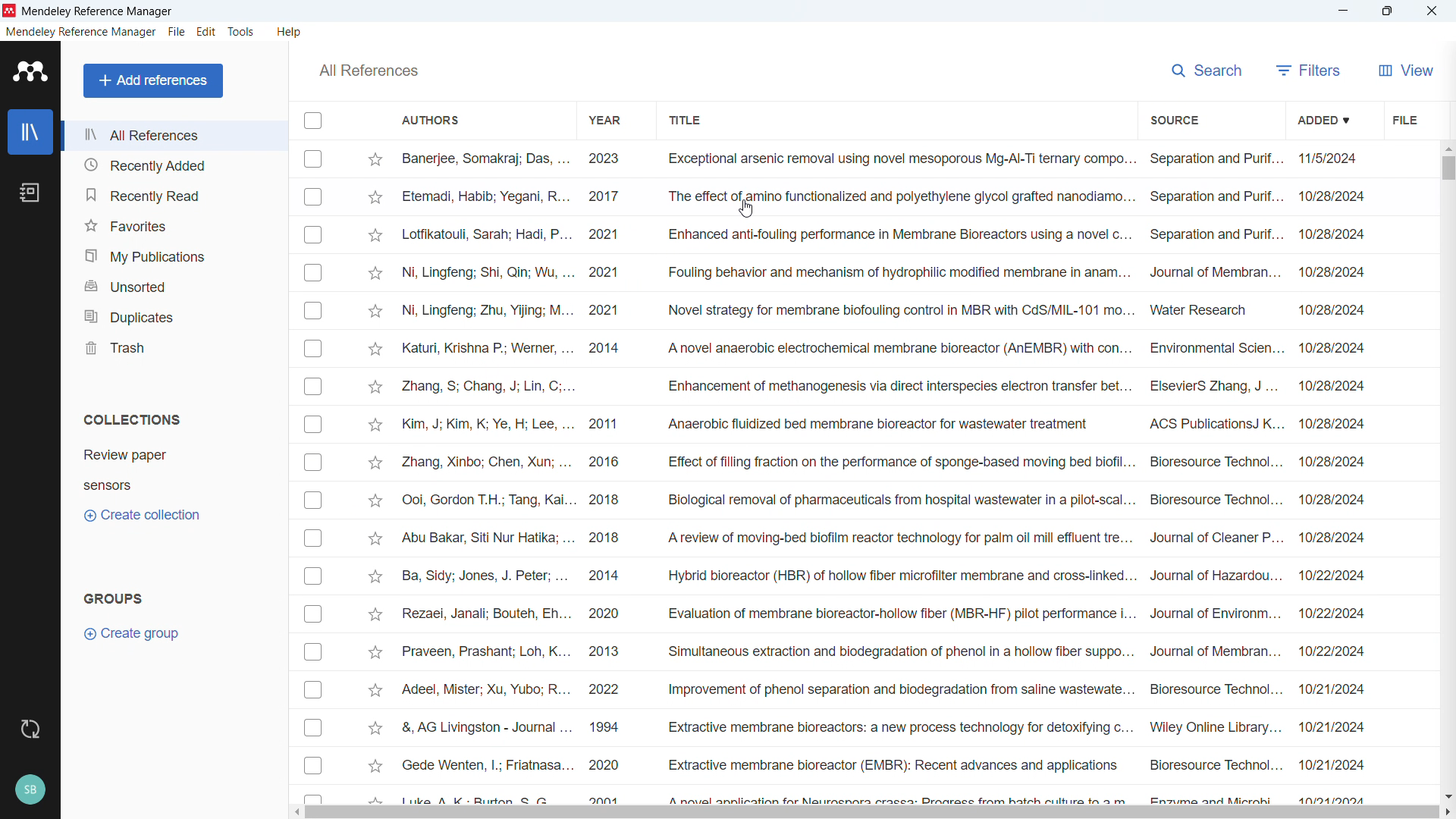  I want to click on Select individual entries , so click(315, 473).